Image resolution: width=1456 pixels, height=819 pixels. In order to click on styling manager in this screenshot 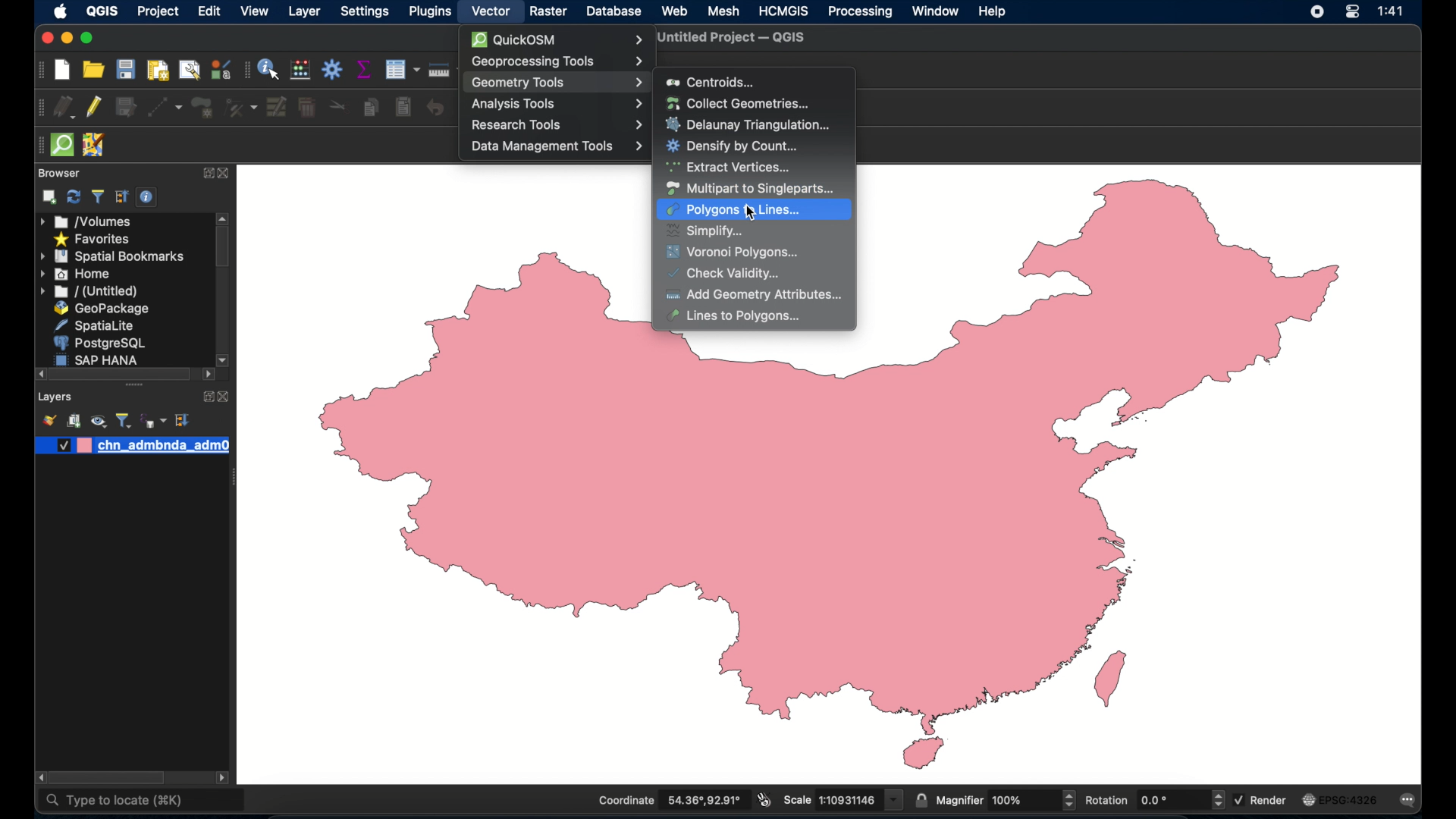, I will do `click(221, 69)`.